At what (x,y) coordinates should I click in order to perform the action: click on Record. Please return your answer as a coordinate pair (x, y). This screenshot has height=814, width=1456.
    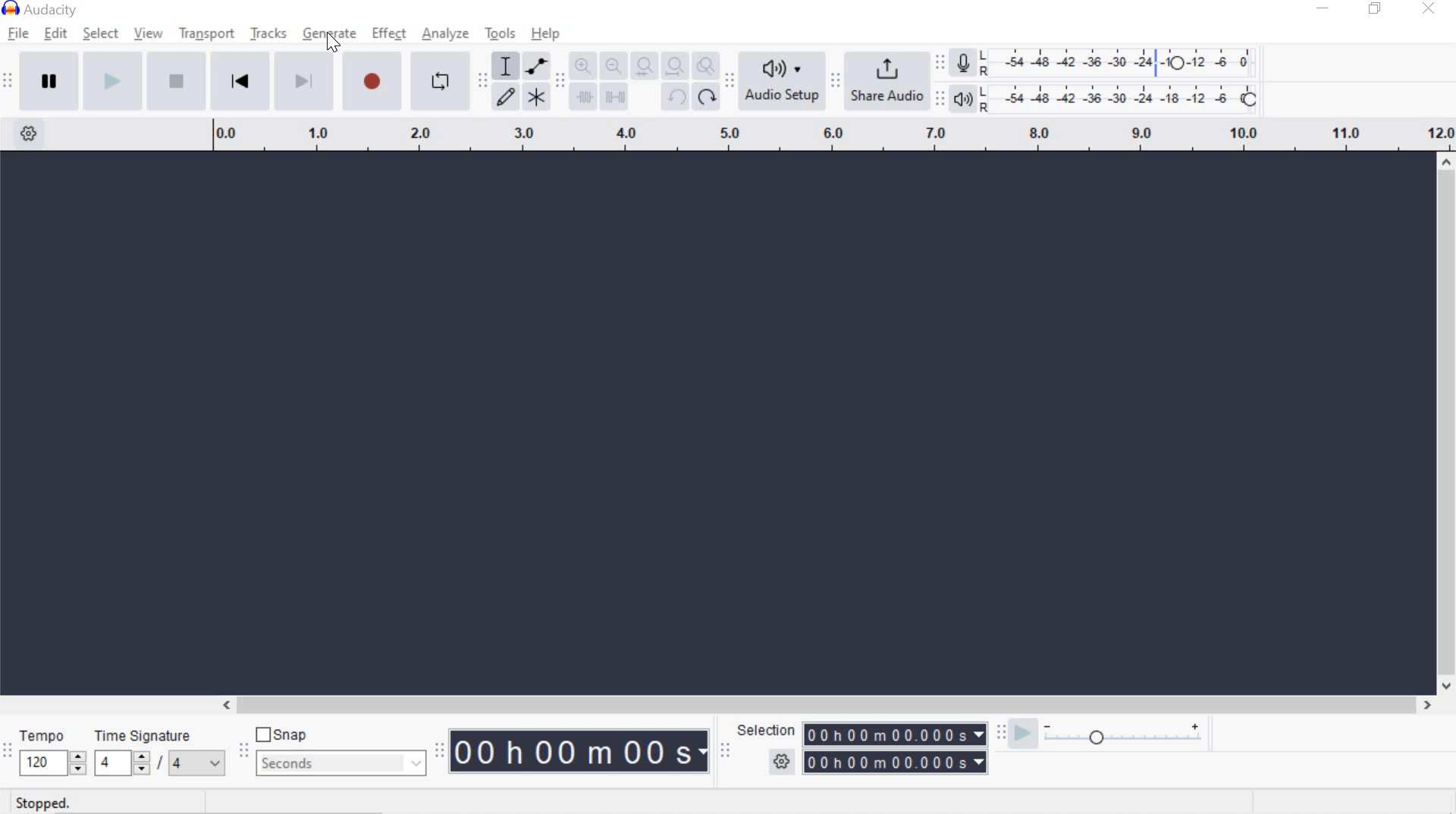
    Looking at the image, I should click on (376, 81).